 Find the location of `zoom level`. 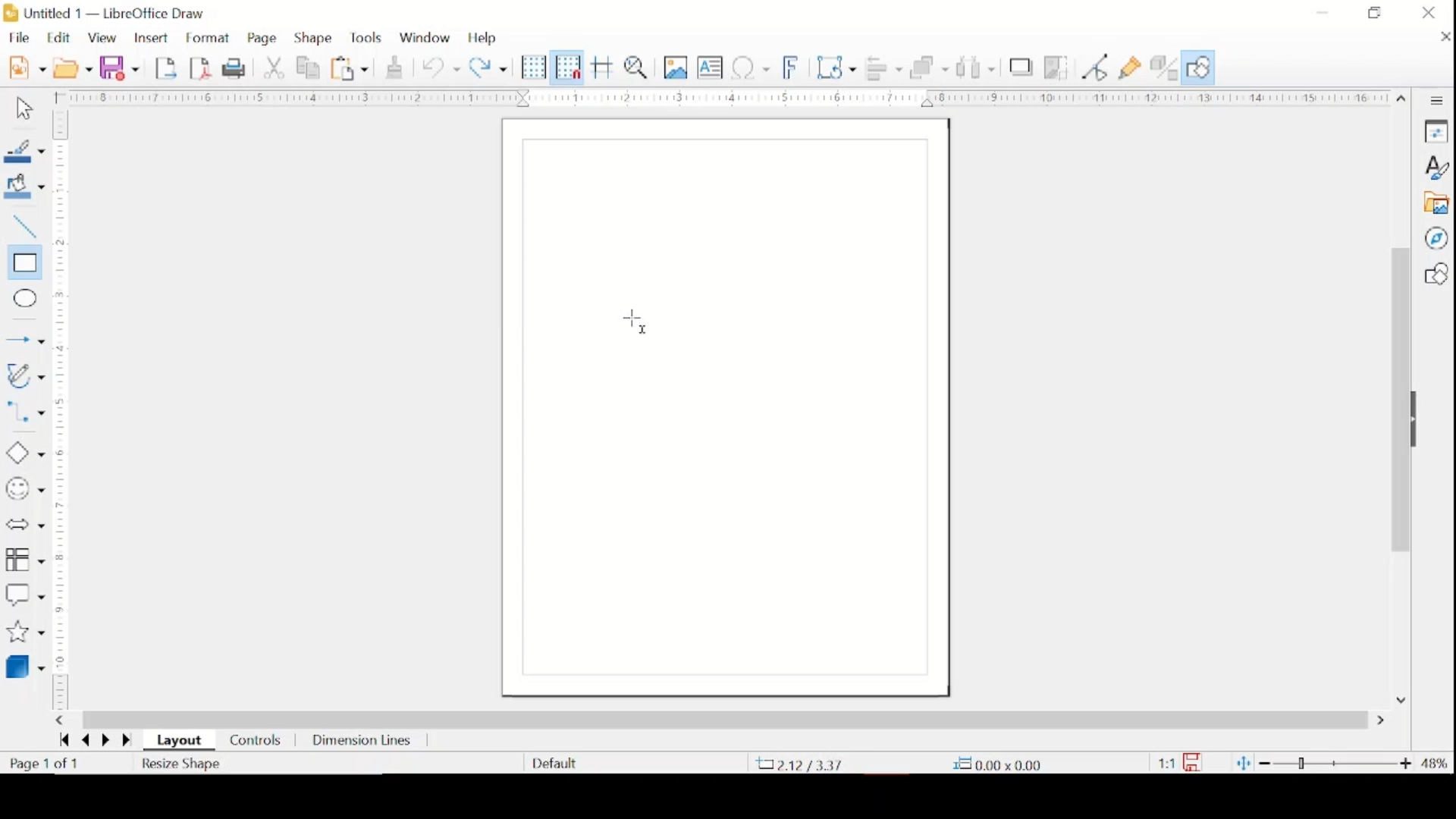

zoom level is located at coordinates (1436, 764).